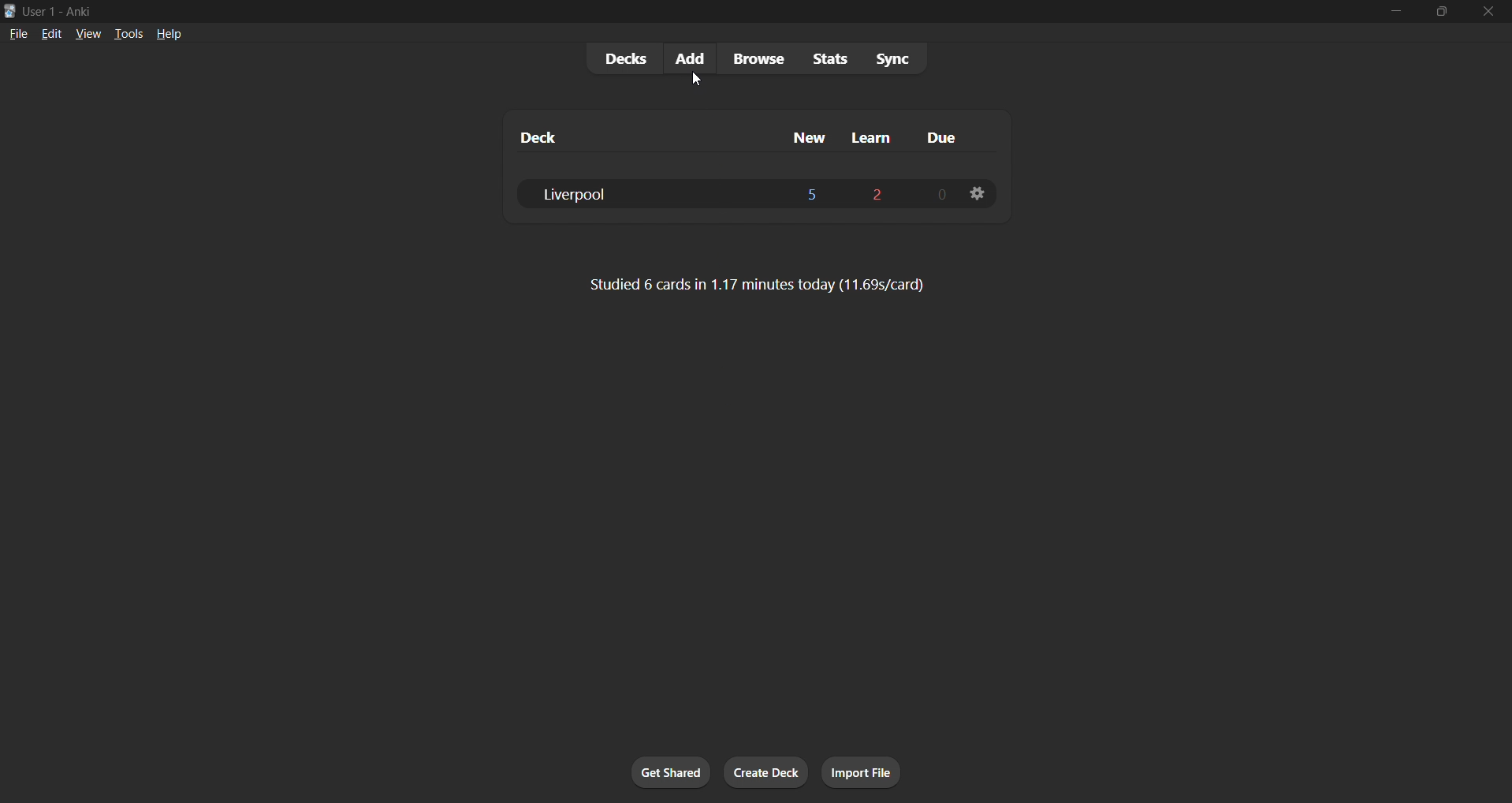 Image resolution: width=1512 pixels, height=803 pixels. I want to click on maximize/restore, so click(1441, 14).